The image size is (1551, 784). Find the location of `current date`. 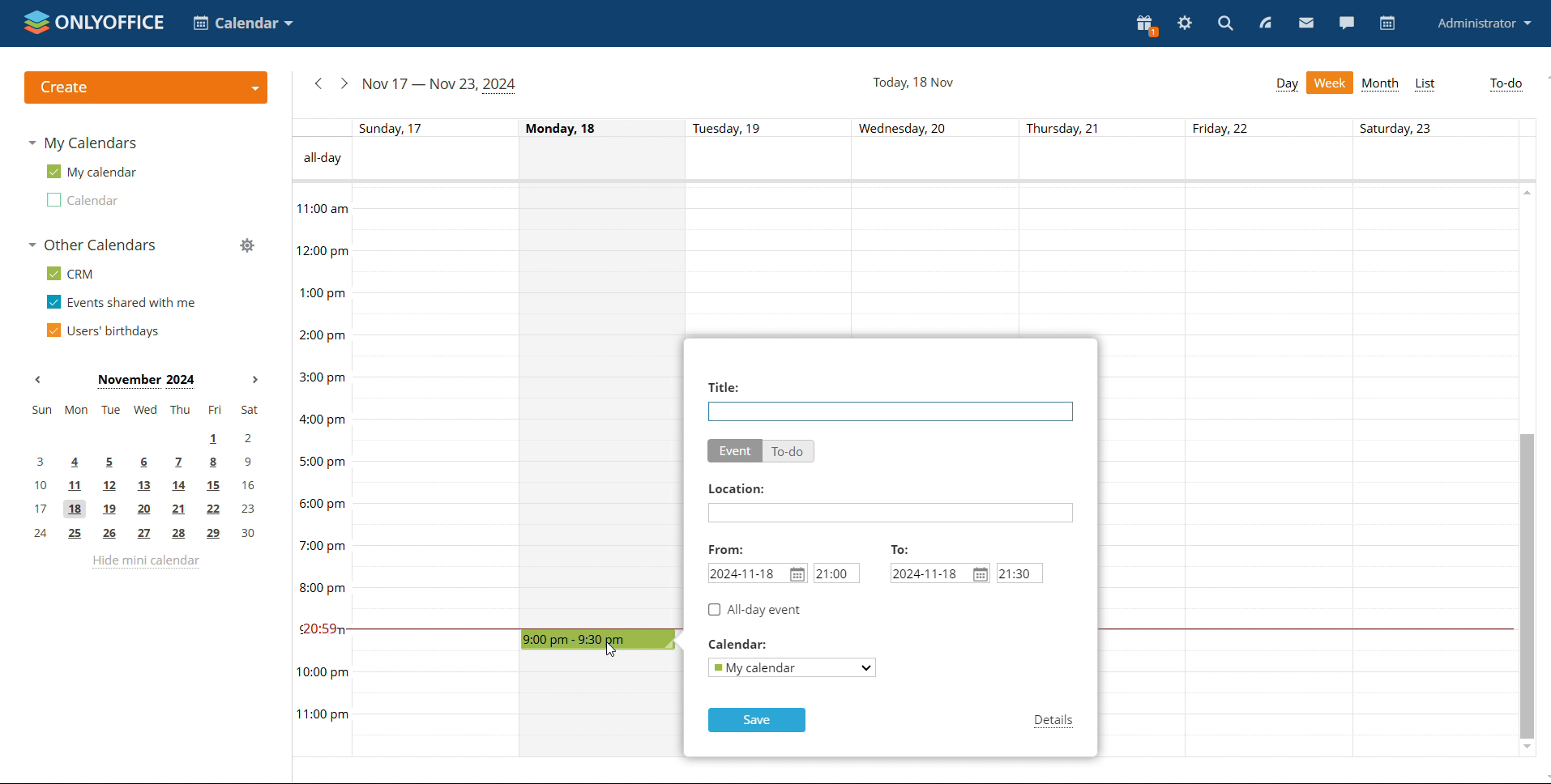

current date is located at coordinates (914, 83).